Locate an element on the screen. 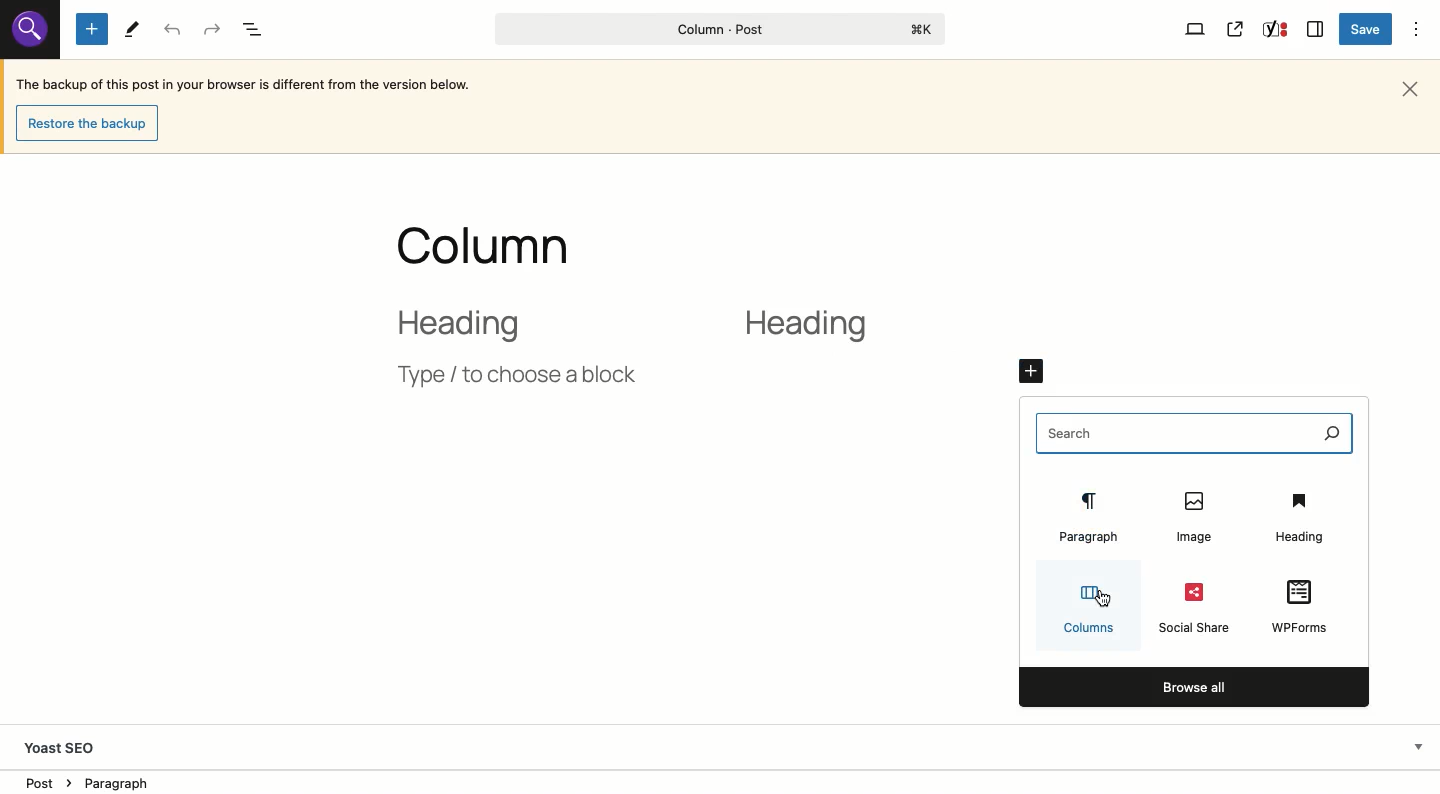 The width and height of the screenshot is (1440, 794). Type / choose a block is located at coordinates (515, 375).